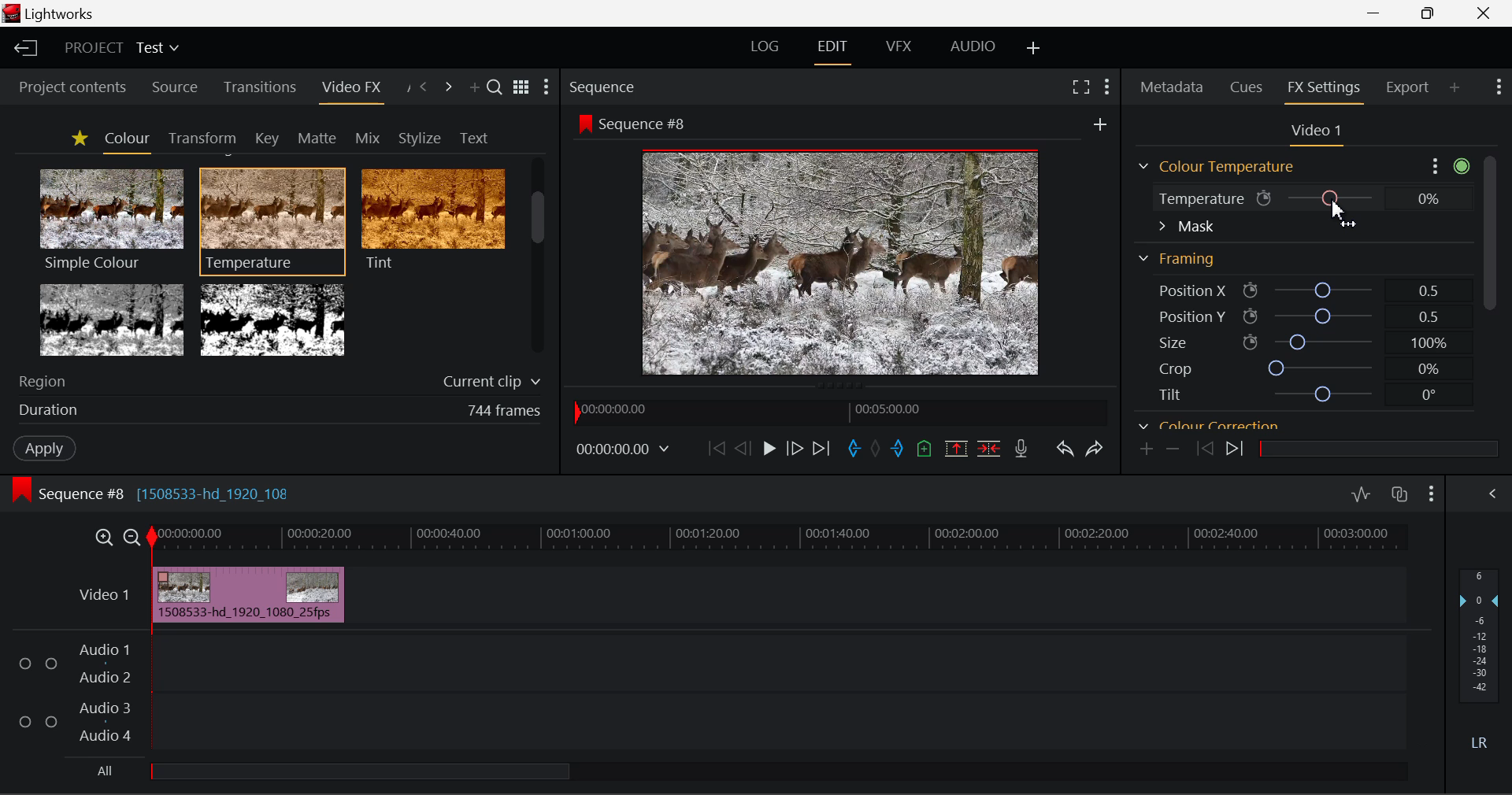  Describe the element at coordinates (124, 139) in the screenshot. I see `Colour` at that location.